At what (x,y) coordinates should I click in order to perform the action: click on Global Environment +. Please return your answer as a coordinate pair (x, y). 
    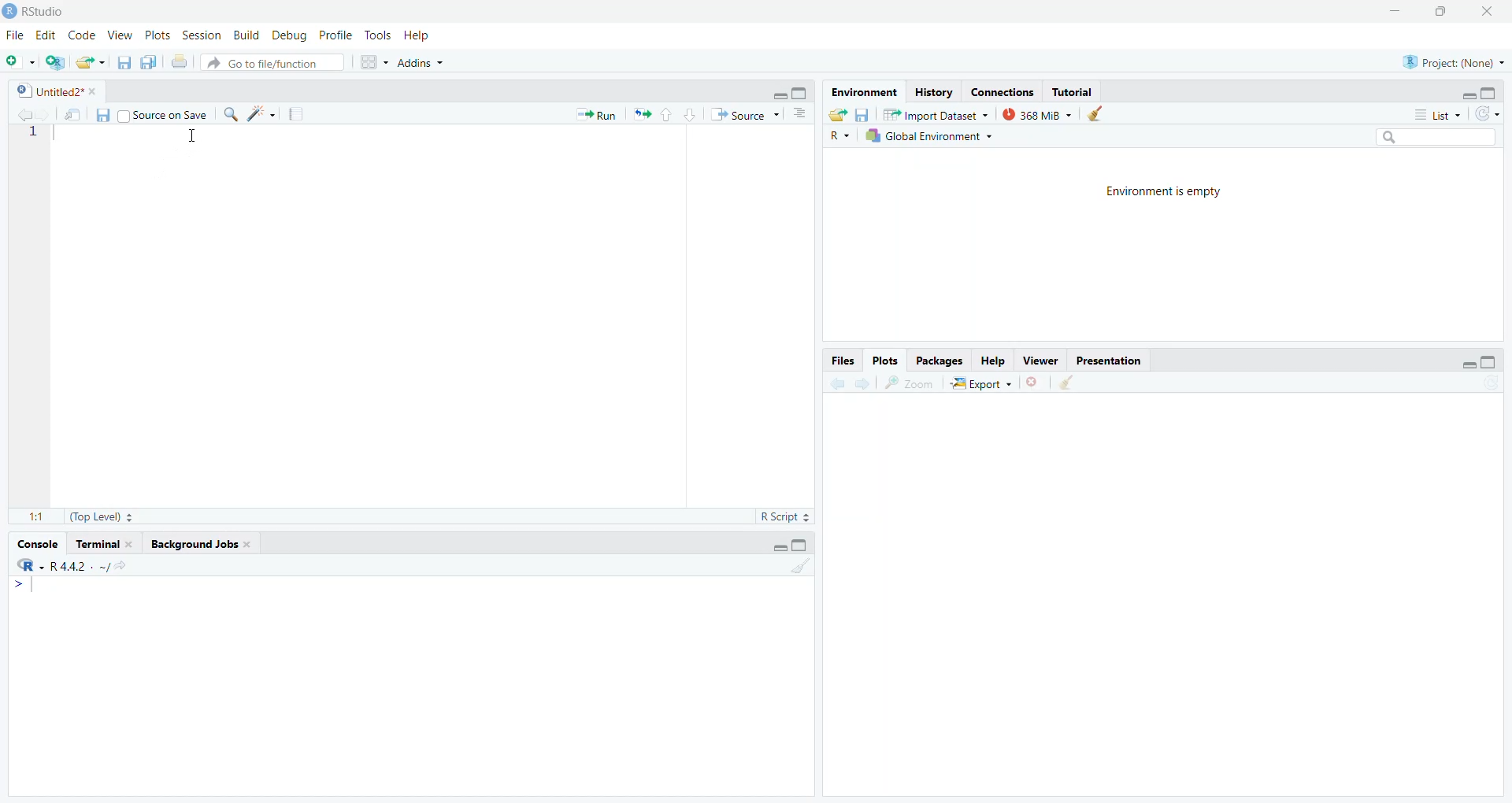
    Looking at the image, I should click on (929, 136).